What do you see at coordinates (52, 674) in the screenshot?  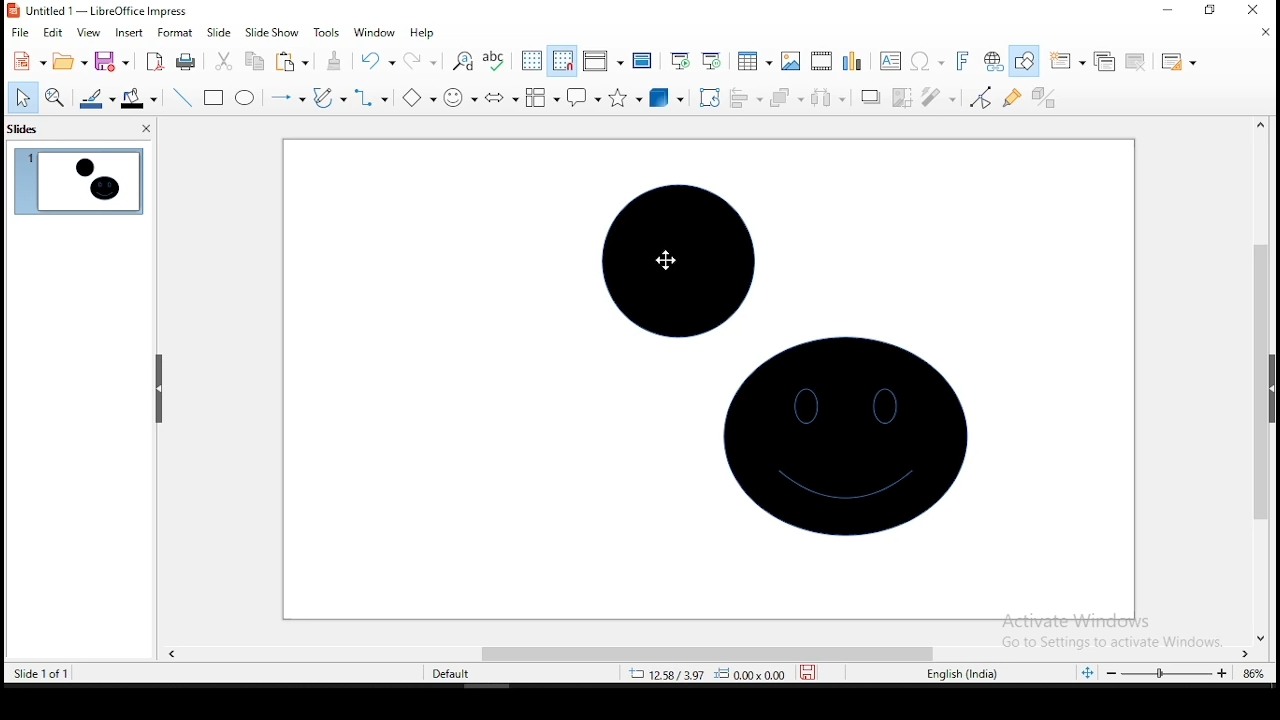 I see `slide 1 of 1` at bounding box center [52, 674].